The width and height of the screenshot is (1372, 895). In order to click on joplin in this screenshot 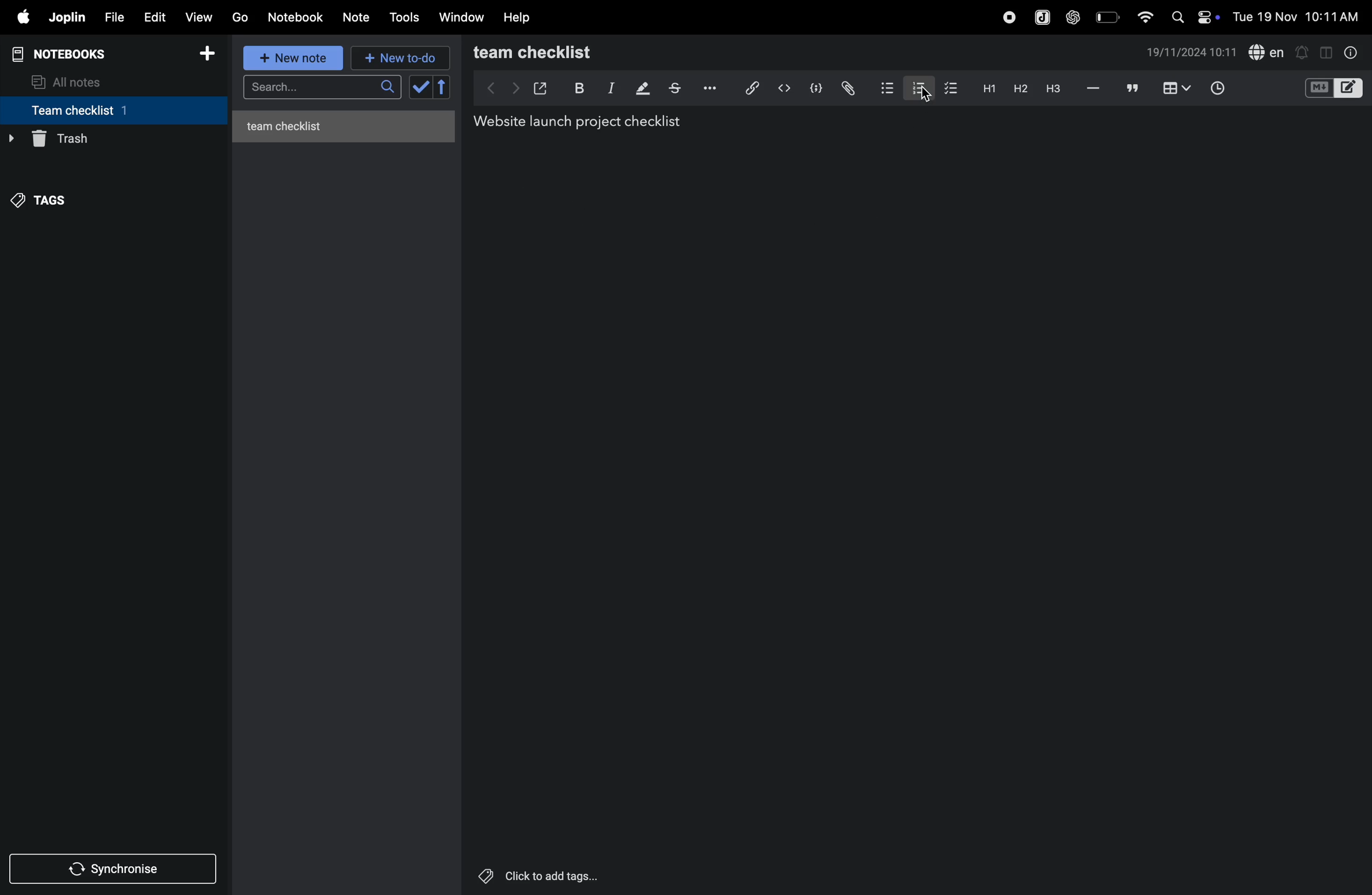, I will do `click(68, 18)`.